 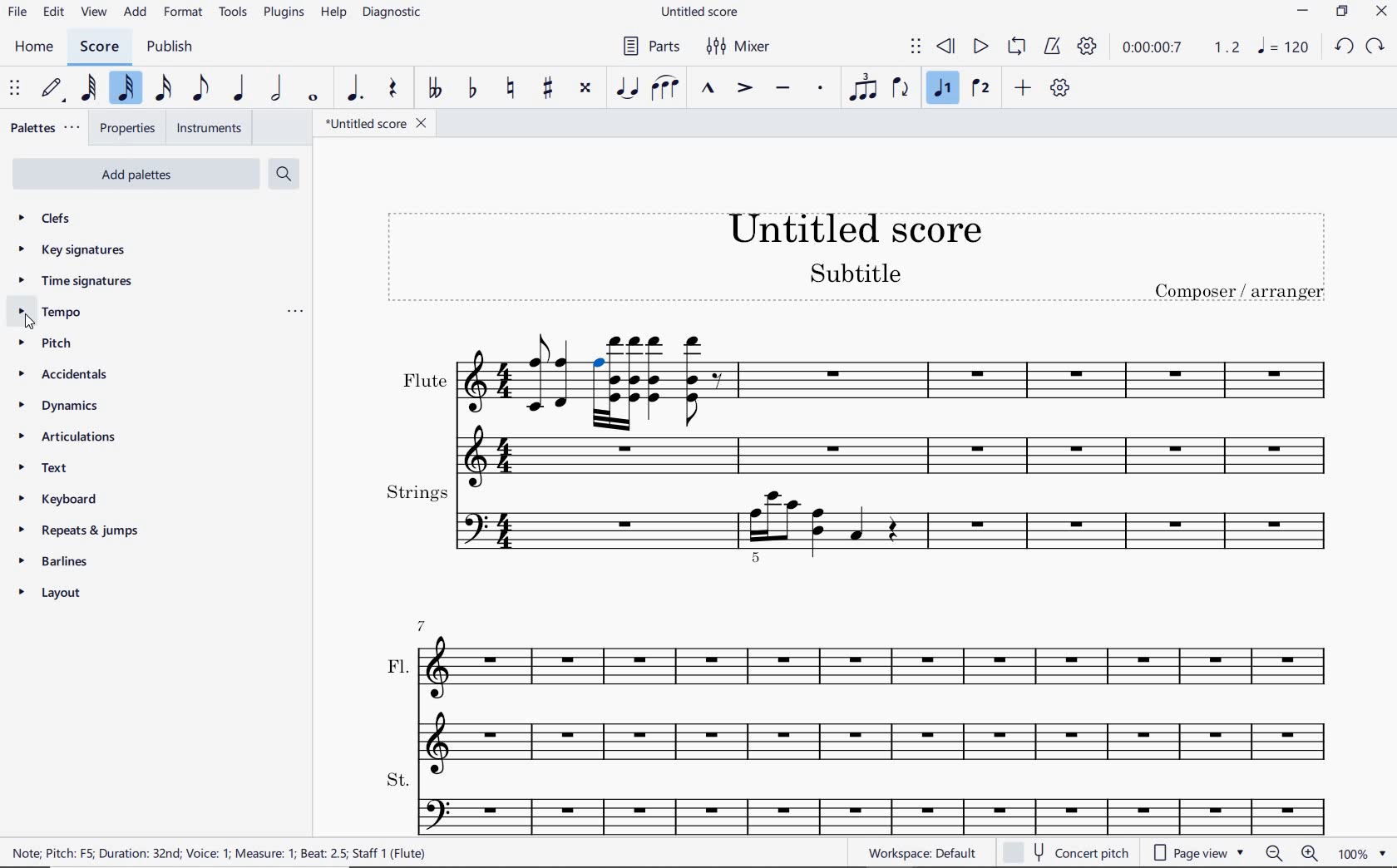 I want to click on 32ND NOTE, so click(x=128, y=88).